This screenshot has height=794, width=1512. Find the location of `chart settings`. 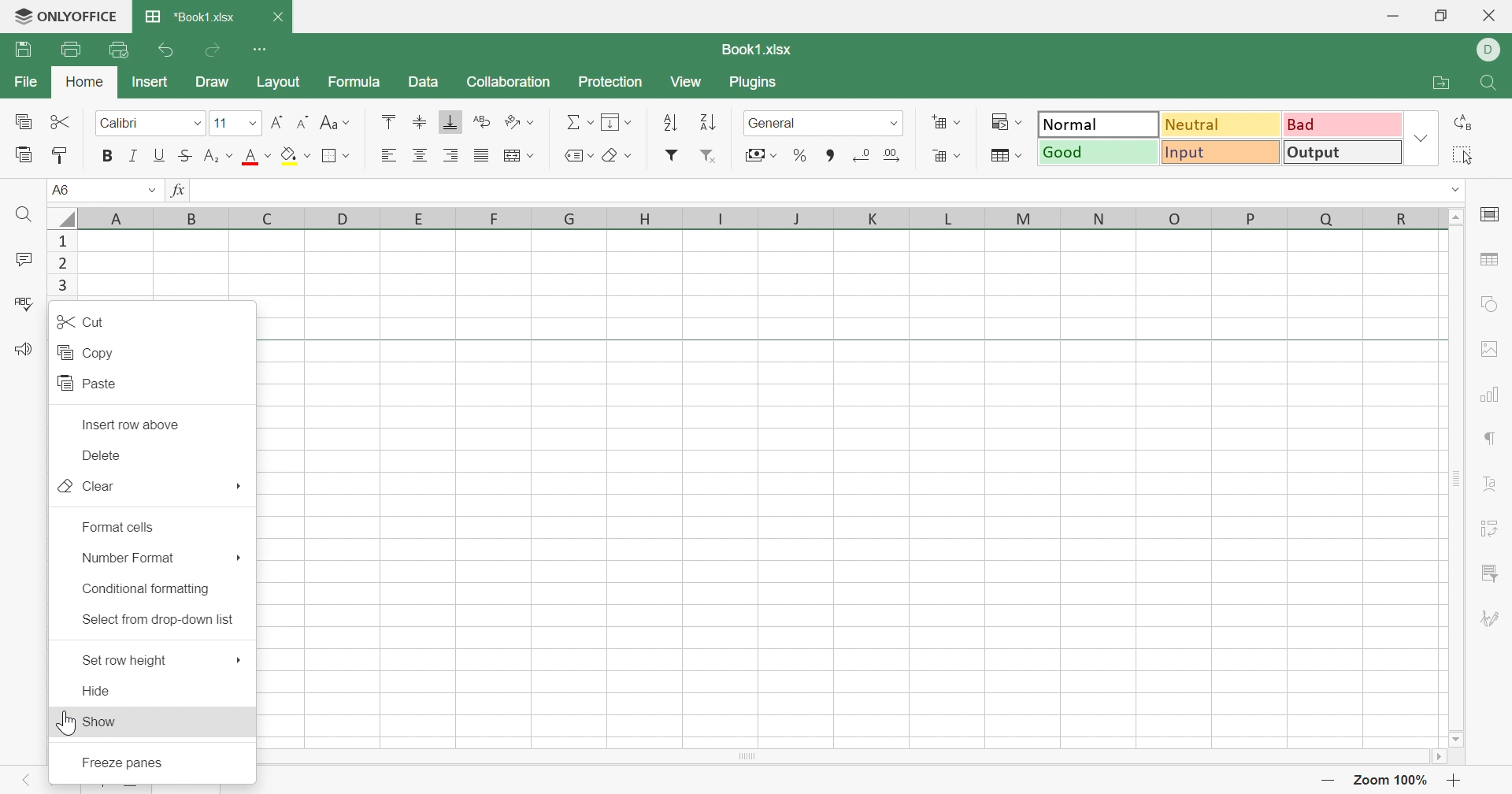

chart settings is located at coordinates (1489, 397).